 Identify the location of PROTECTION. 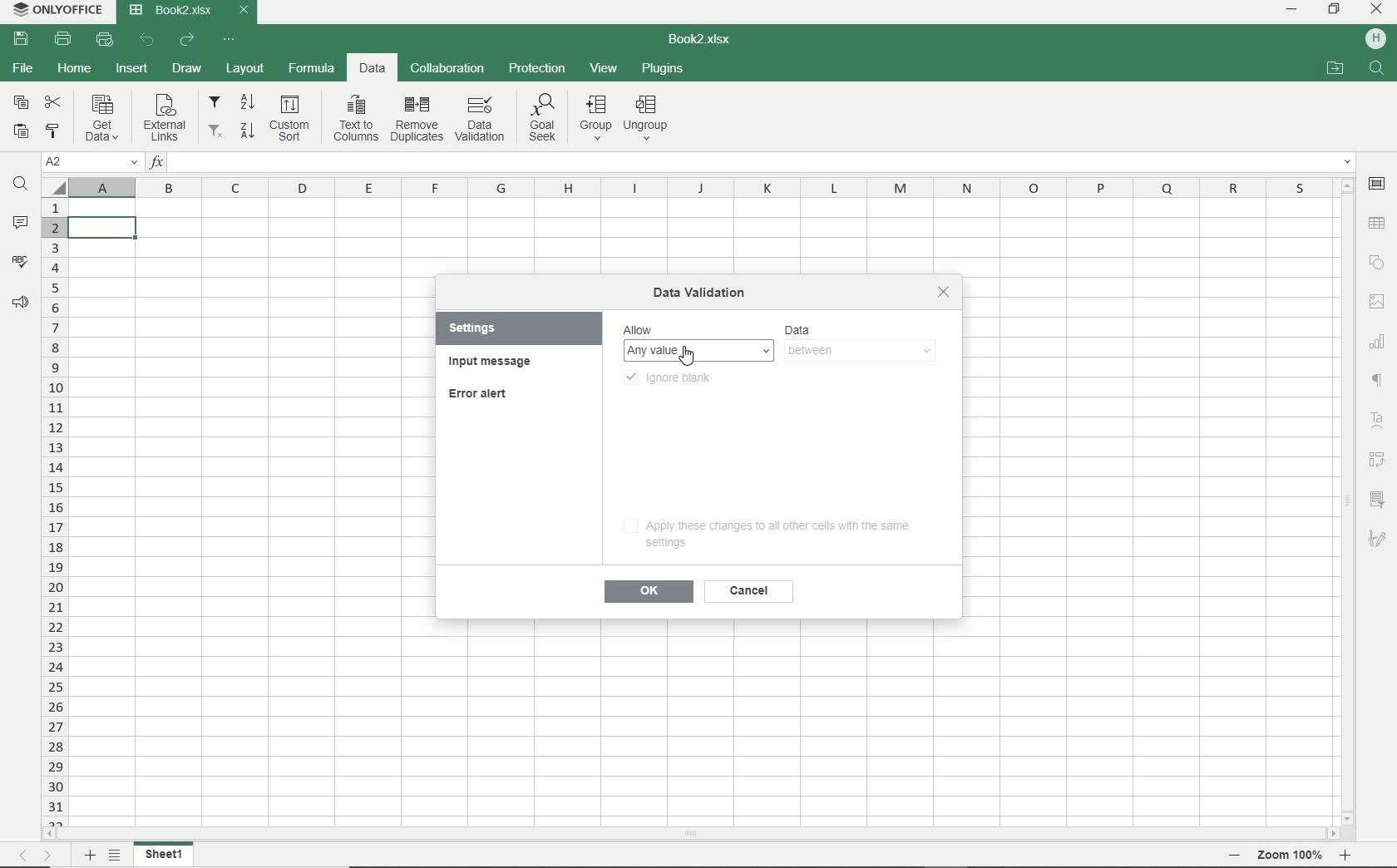
(536, 70).